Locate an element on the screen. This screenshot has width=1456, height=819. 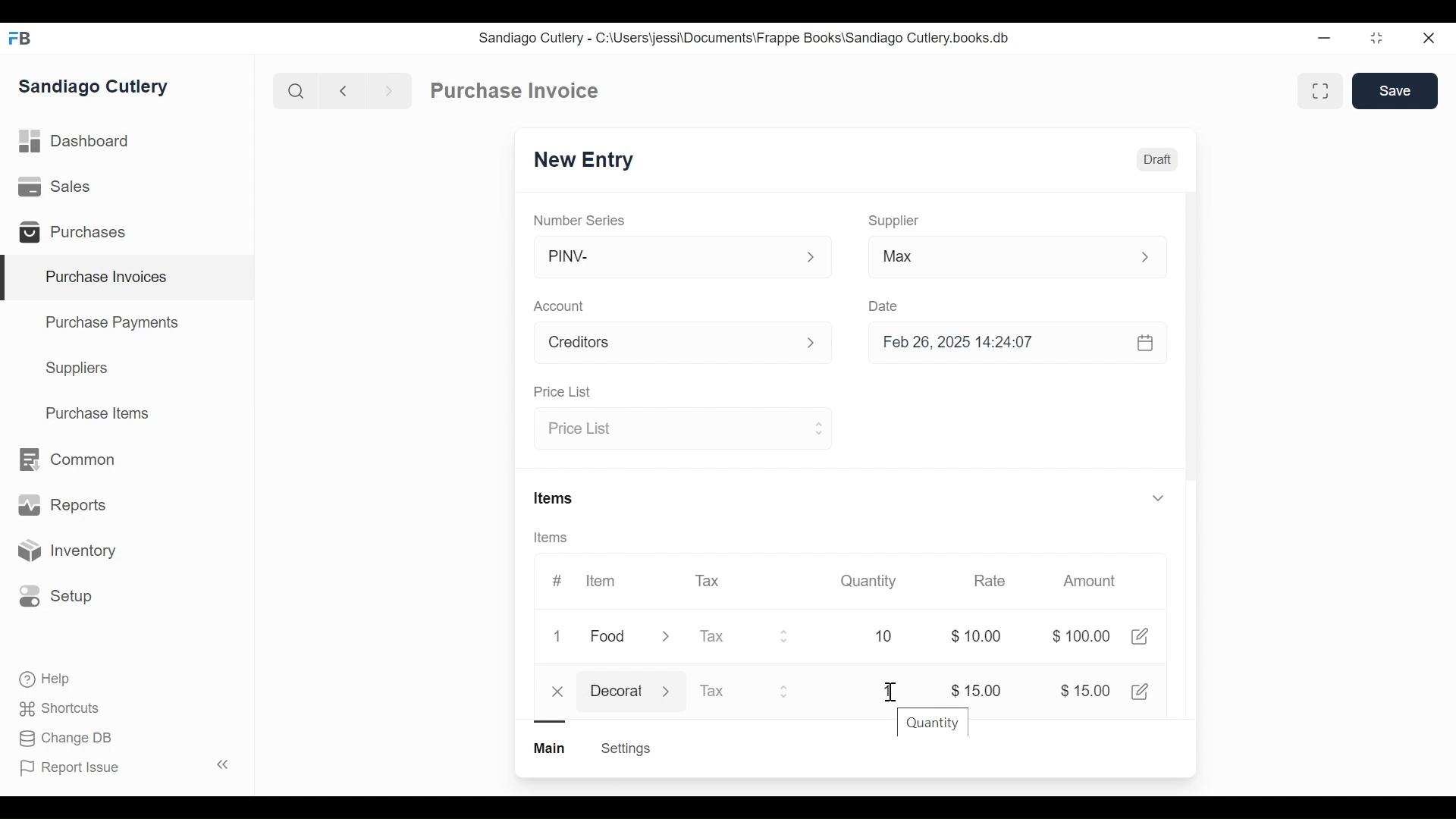
Edit is located at coordinates (1144, 690).